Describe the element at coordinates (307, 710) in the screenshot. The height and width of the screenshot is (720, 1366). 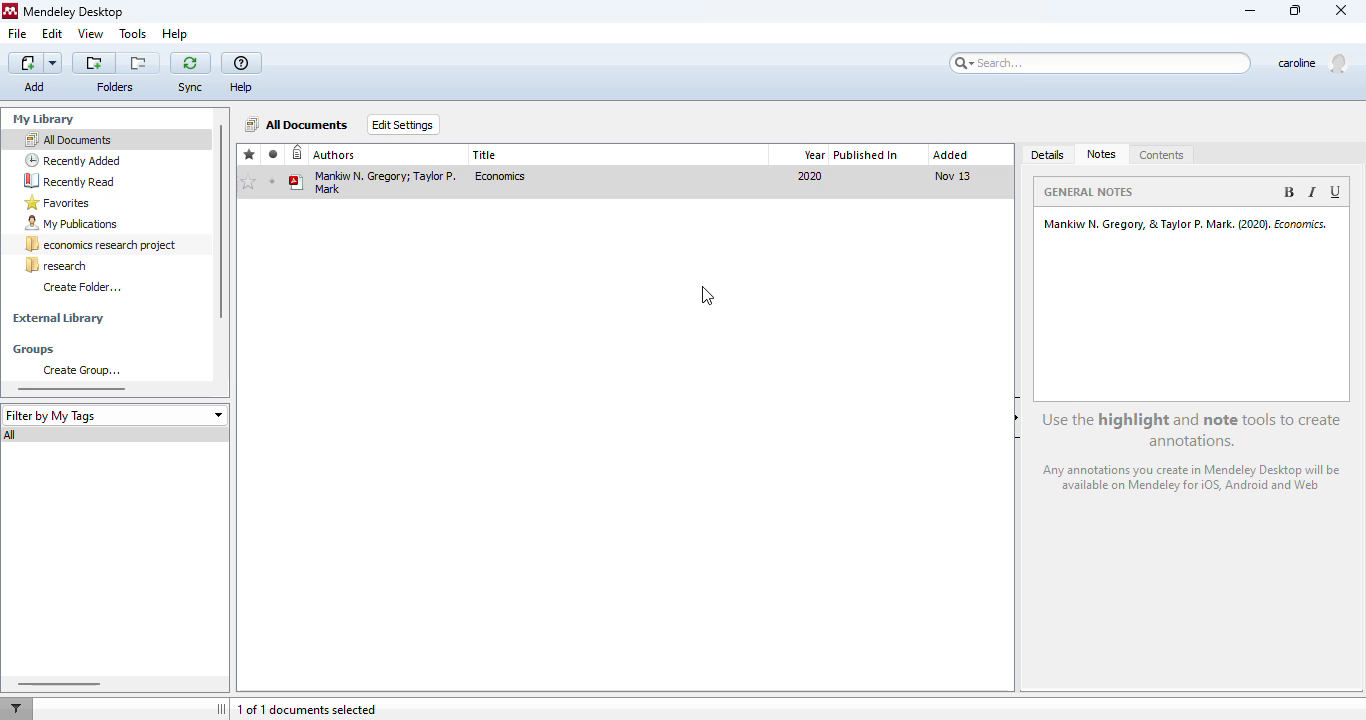
I see `1 of 1 documents selected` at that location.